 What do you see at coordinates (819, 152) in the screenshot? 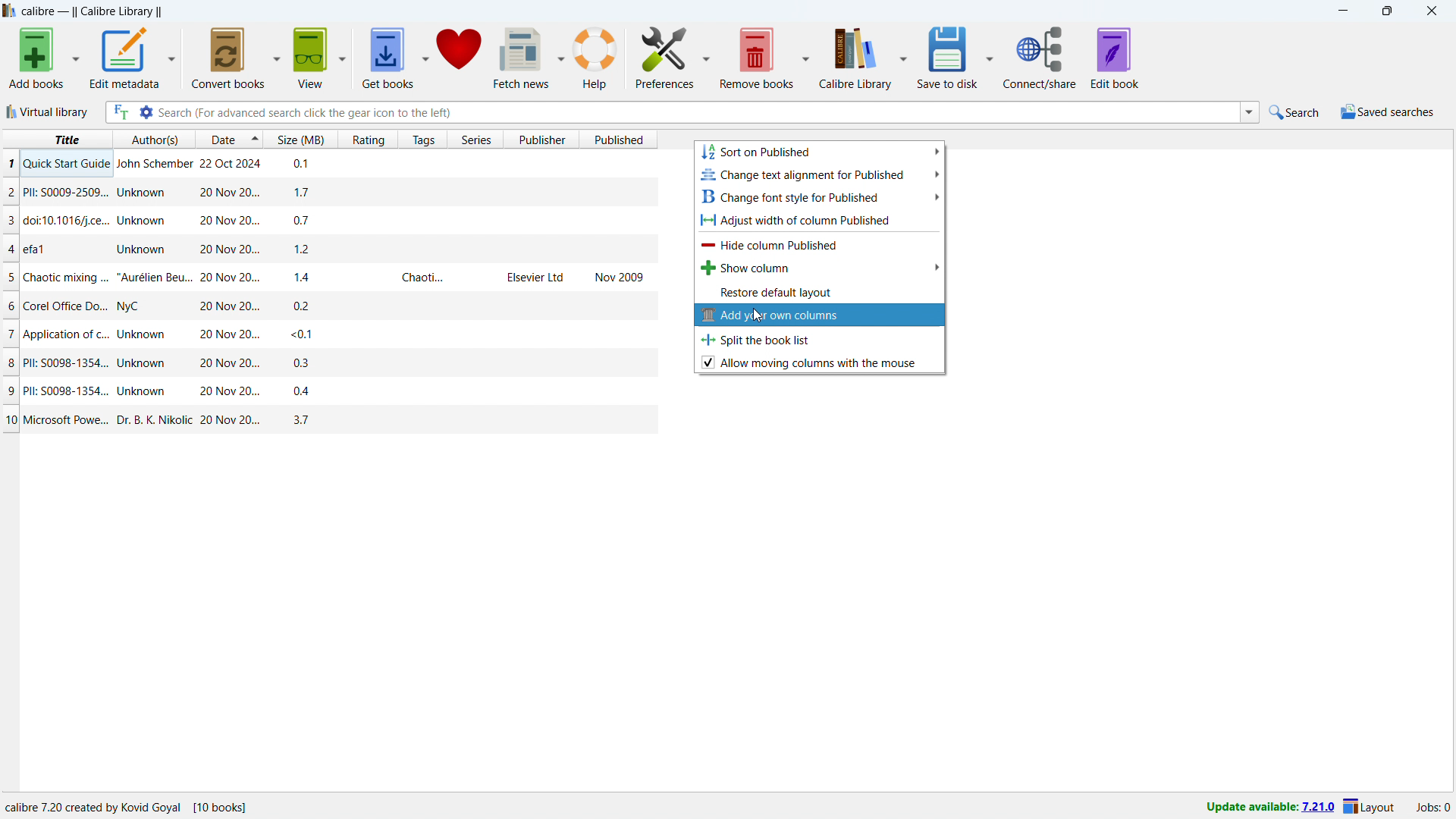
I see `sort on published` at bounding box center [819, 152].